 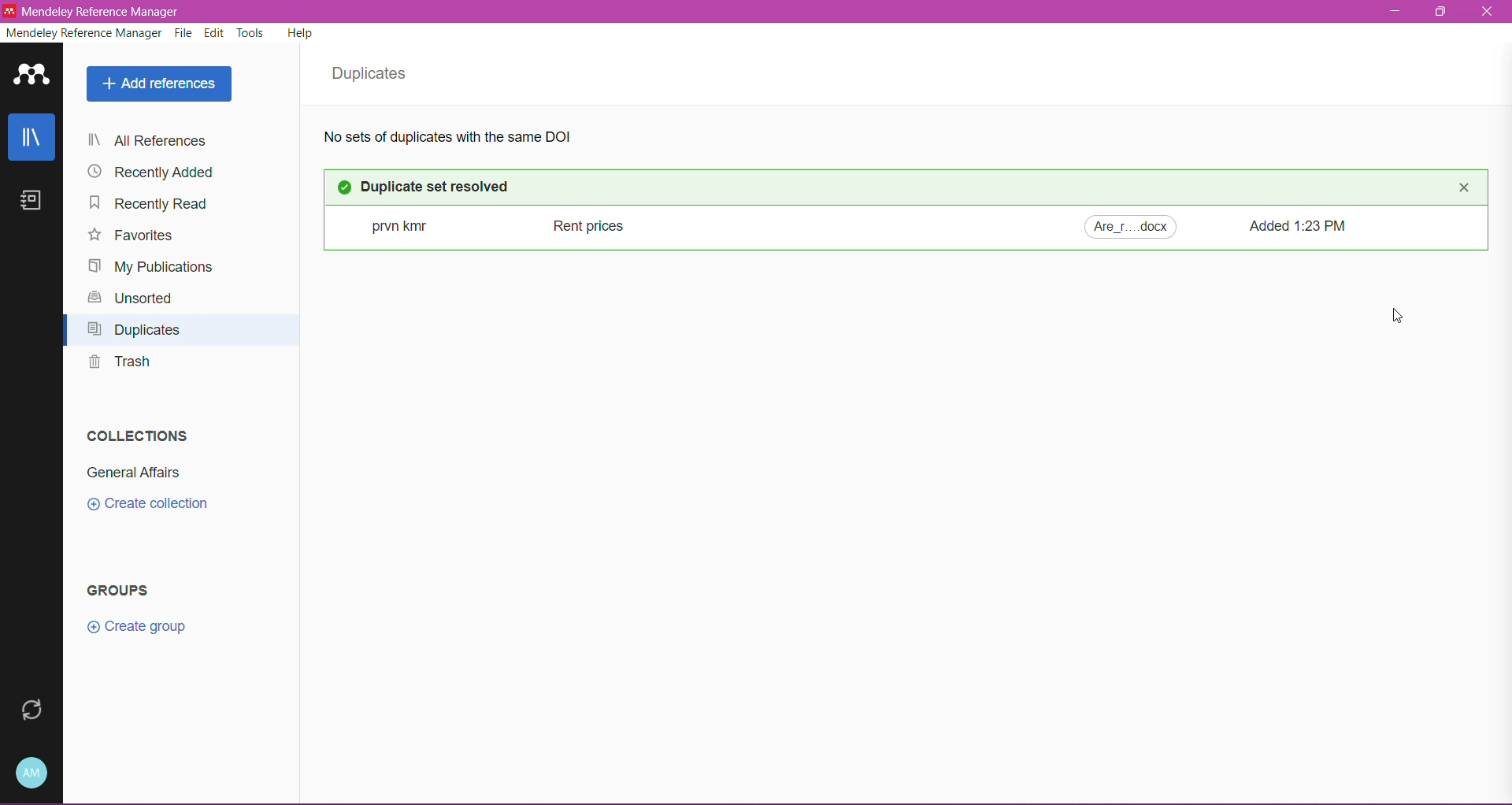 What do you see at coordinates (29, 710) in the screenshot?
I see `Last Sync` at bounding box center [29, 710].